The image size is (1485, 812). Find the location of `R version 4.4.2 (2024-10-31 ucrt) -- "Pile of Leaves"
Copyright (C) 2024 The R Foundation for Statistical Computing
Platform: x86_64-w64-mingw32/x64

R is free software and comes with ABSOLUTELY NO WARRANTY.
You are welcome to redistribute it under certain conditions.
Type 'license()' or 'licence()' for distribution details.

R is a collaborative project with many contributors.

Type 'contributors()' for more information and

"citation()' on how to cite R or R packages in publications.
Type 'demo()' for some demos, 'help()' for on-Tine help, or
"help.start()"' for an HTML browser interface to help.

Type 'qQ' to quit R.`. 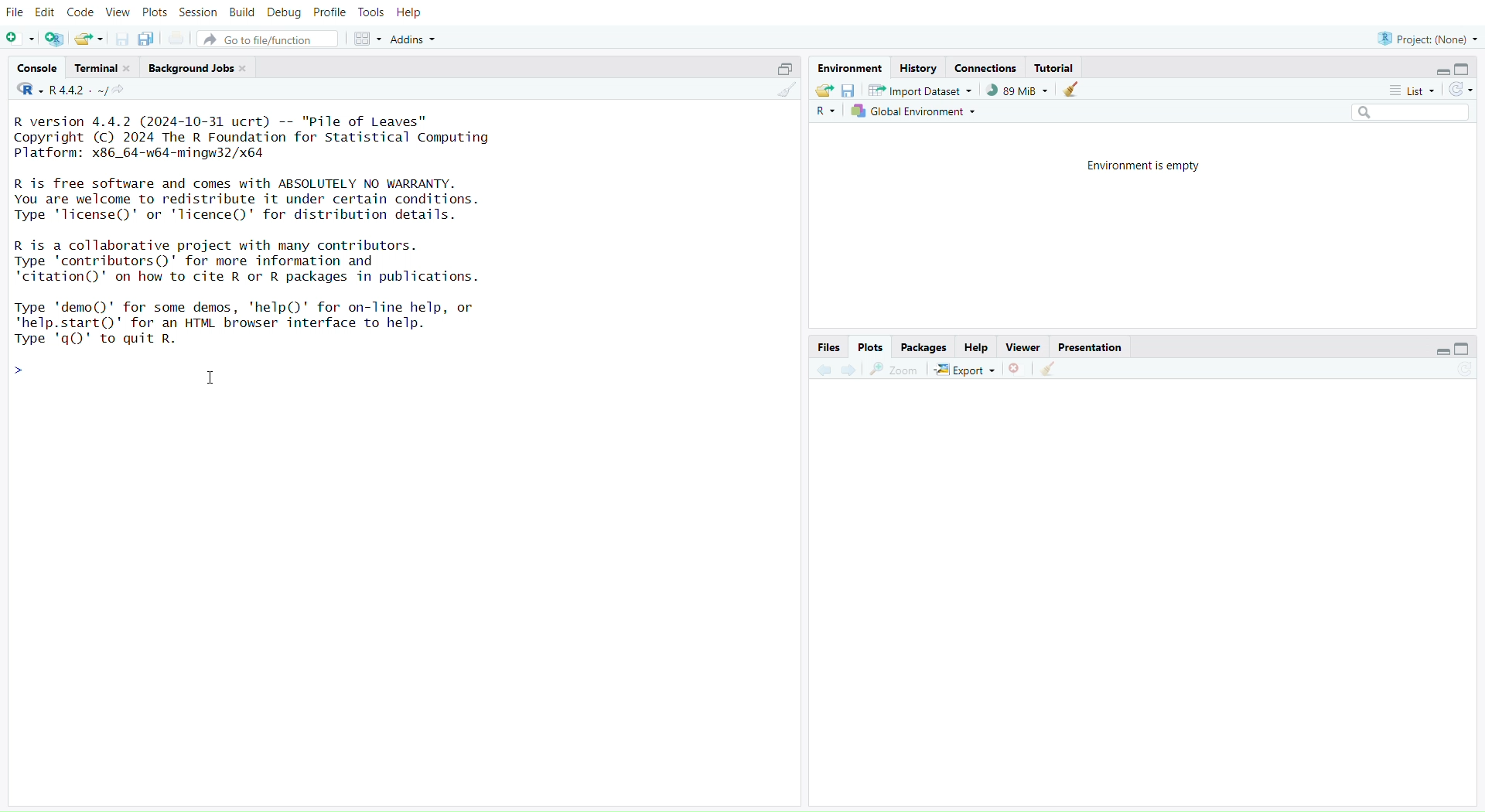

R version 4.4.2 (2024-10-31 ucrt) -- "Pile of Leaves"
Copyright (C) 2024 The R Foundation for Statistical Computing
Platform: x86_64-w64-mingw32/x64

R is free software and comes with ABSOLUTELY NO WARRANTY.
You are welcome to redistribute it under certain conditions.
Type 'license()' or 'licence()' for distribution details.

R is a collaborative project with many contributors.

Type 'contributors()' for more information and

"citation()' on how to cite R or R packages in publications.
Type 'demo()' for some demos, 'help()' for on-Tine help, or
"help.start()"' for an HTML browser interface to help.

Type 'qQ' to quit R. is located at coordinates (269, 234).